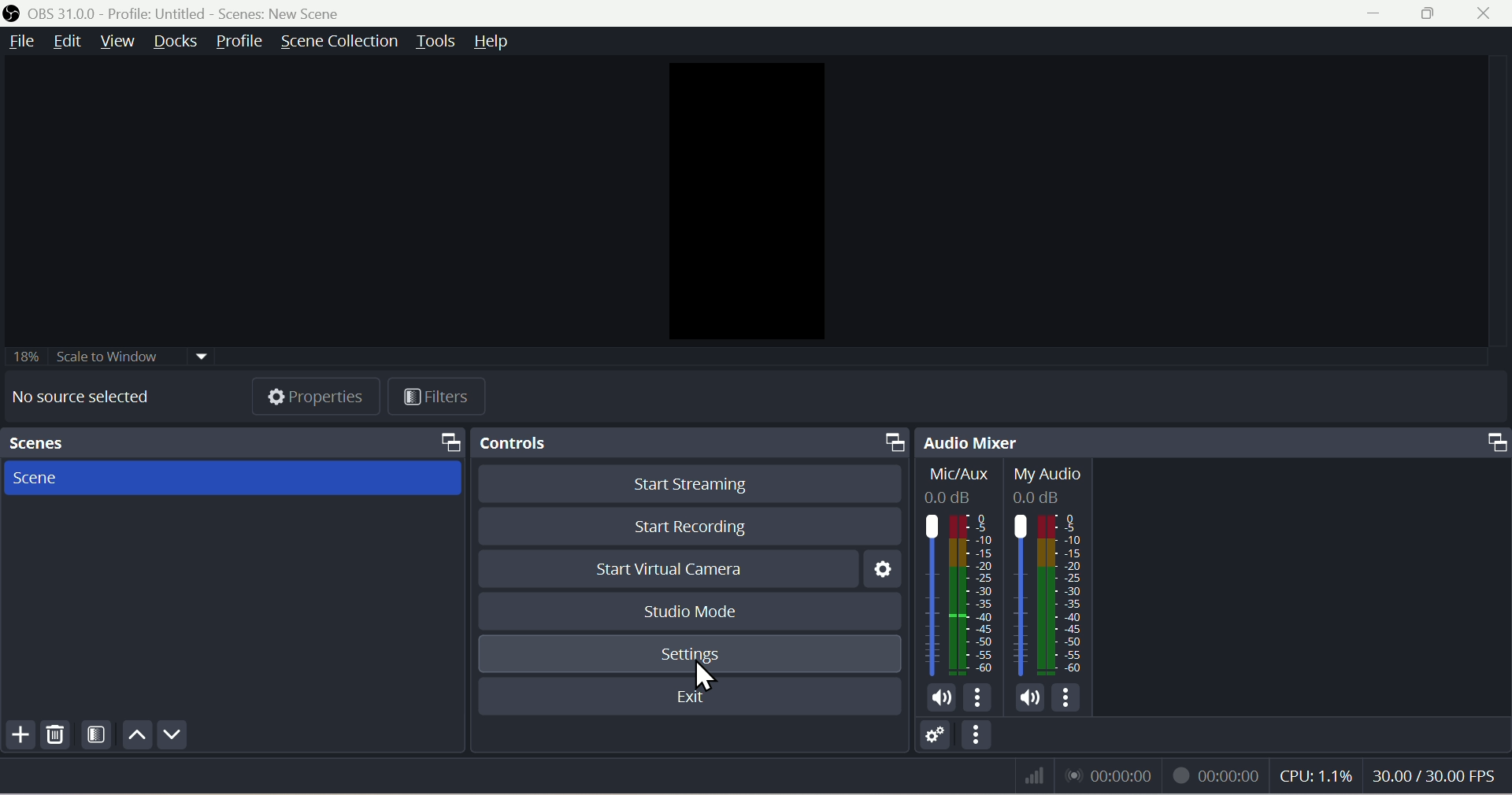 The height and width of the screenshot is (795, 1512). I want to click on Add file, so click(19, 734).